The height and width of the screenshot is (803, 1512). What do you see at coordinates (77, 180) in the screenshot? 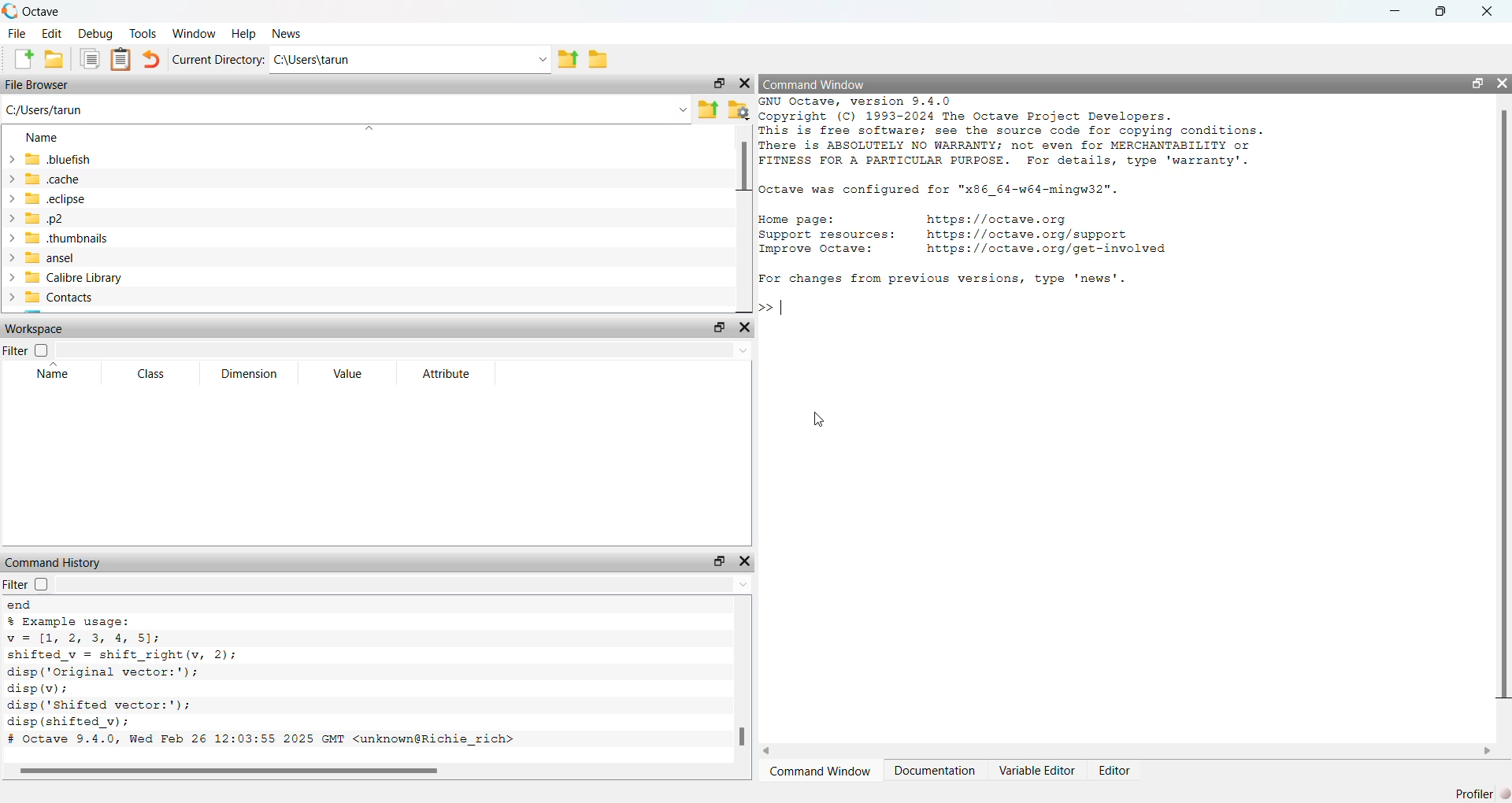
I see `.cache` at bounding box center [77, 180].